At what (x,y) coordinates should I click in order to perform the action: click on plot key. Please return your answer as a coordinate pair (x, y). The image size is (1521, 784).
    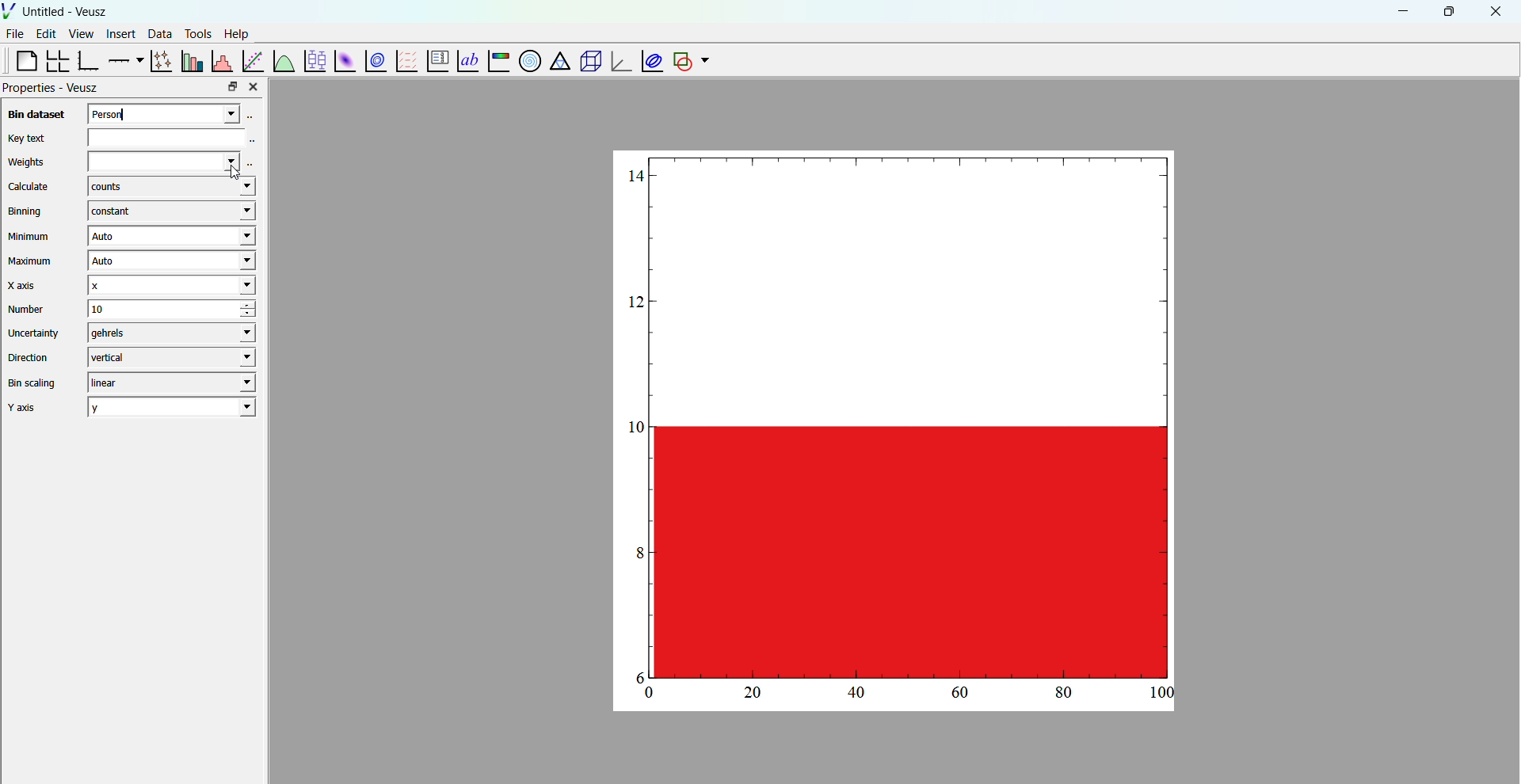
    Looking at the image, I should click on (435, 62).